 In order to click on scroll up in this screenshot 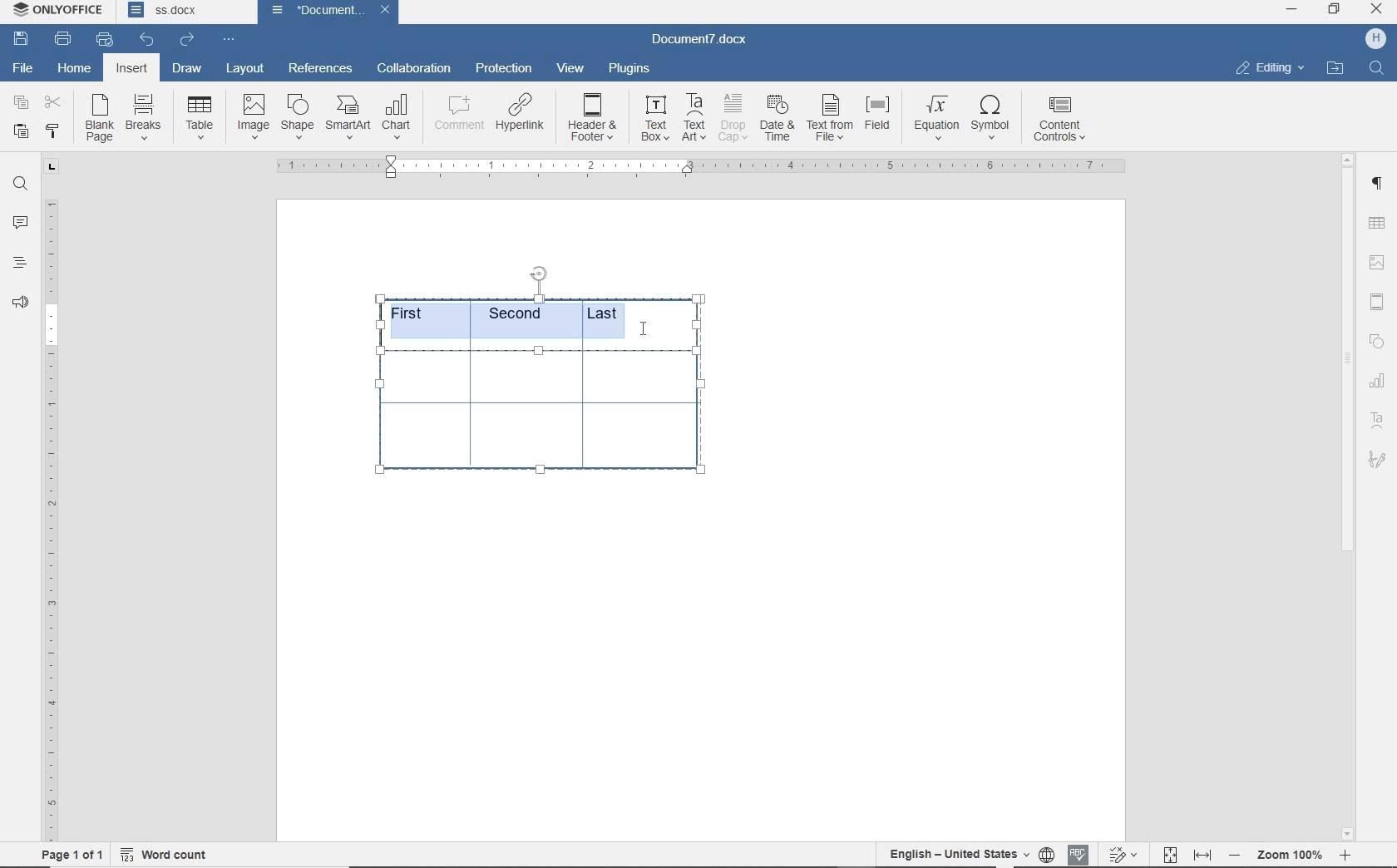, I will do `click(1349, 158)`.